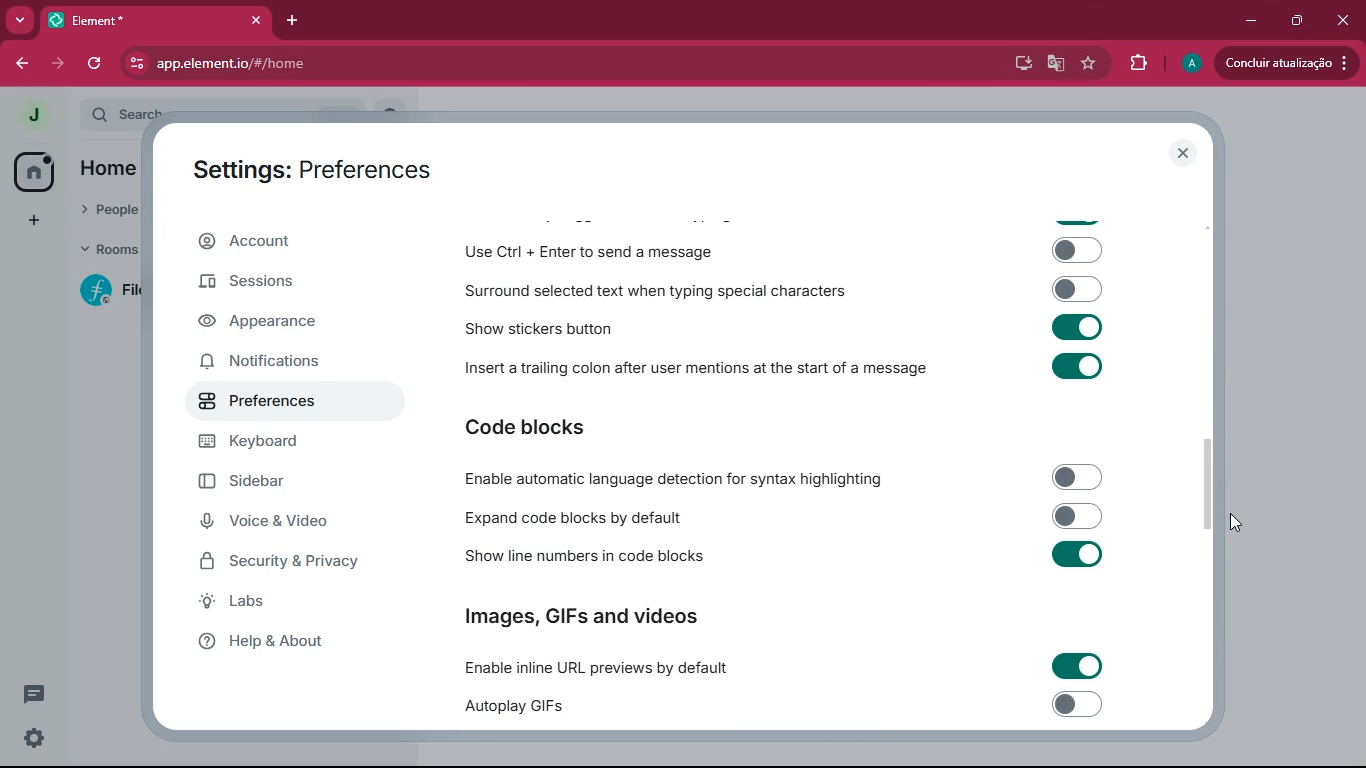 This screenshot has width=1366, height=768. I want to click on cursor, so click(1232, 519).